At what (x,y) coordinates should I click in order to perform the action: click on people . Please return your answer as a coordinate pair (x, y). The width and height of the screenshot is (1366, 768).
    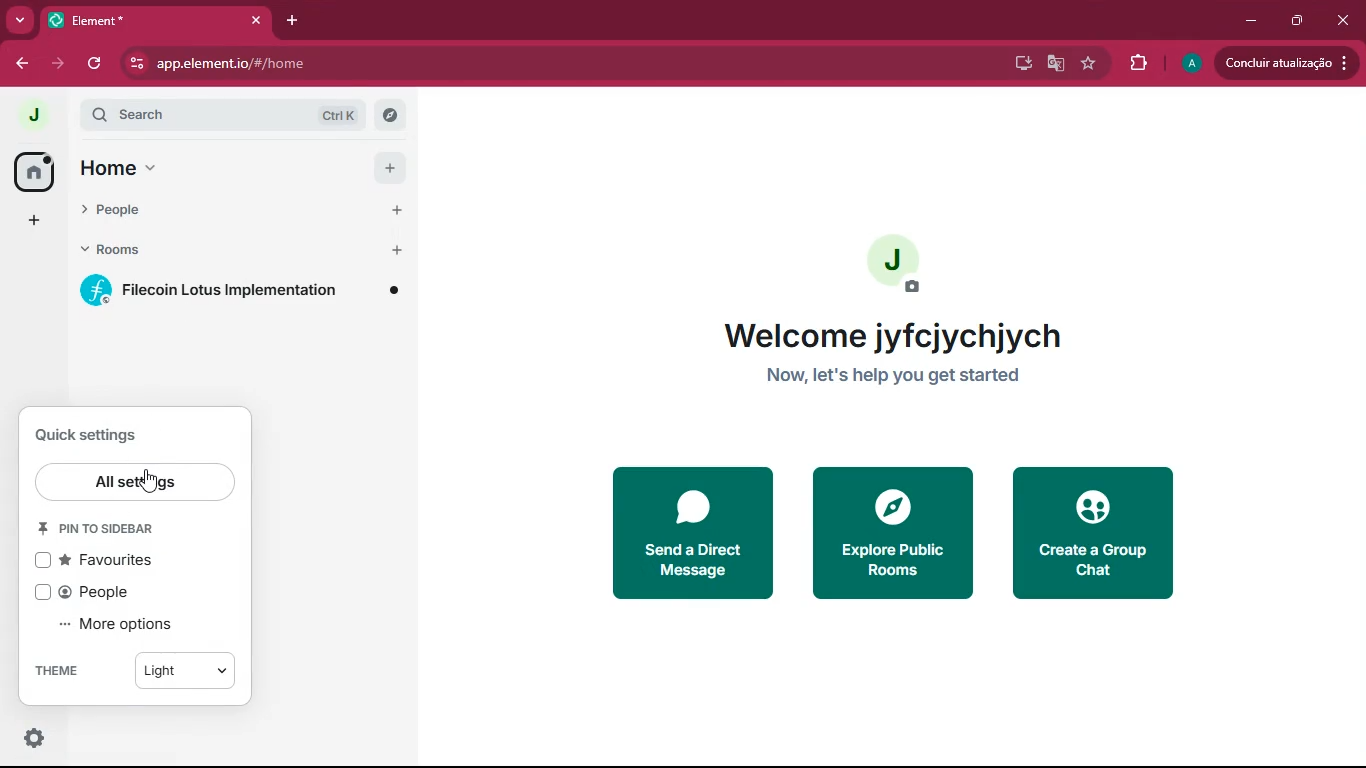
    Looking at the image, I should click on (108, 592).